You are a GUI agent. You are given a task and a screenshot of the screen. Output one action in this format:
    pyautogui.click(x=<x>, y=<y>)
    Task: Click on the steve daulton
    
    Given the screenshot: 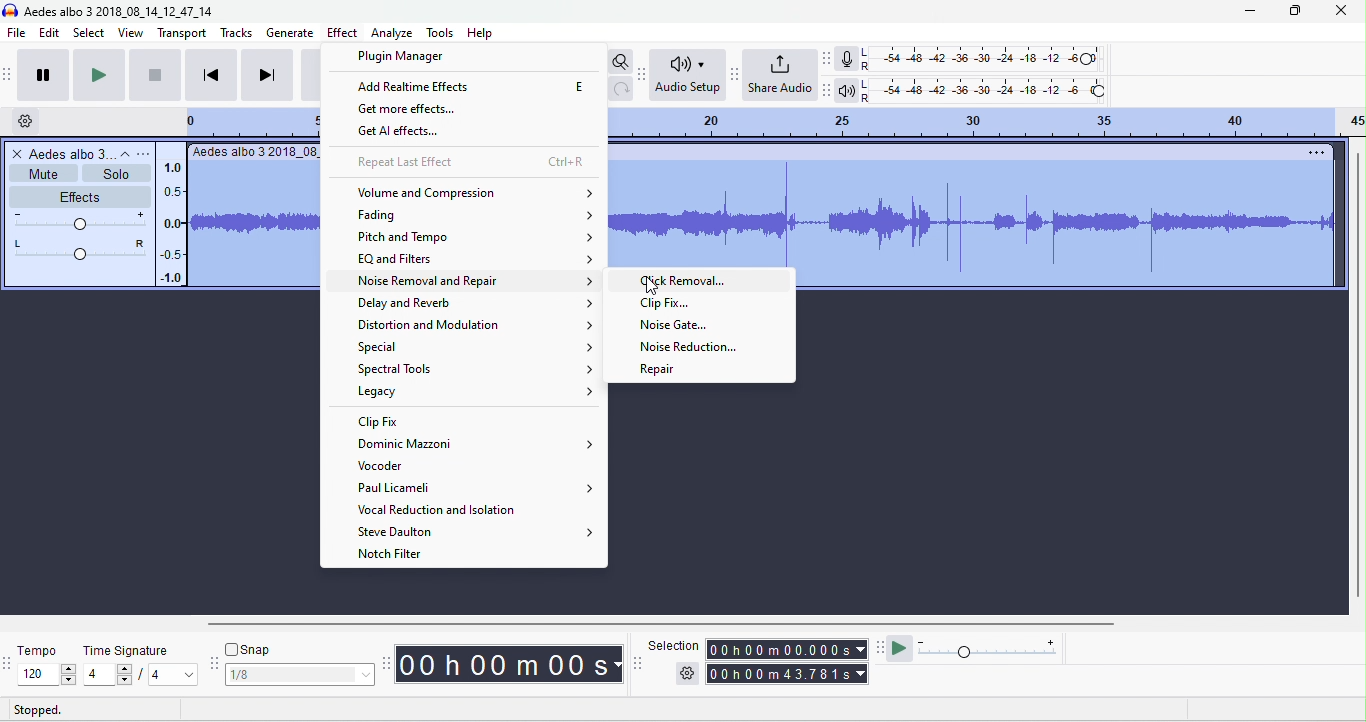 What is the action you would take?
    pyautogui.click(x=477, y=534)
    